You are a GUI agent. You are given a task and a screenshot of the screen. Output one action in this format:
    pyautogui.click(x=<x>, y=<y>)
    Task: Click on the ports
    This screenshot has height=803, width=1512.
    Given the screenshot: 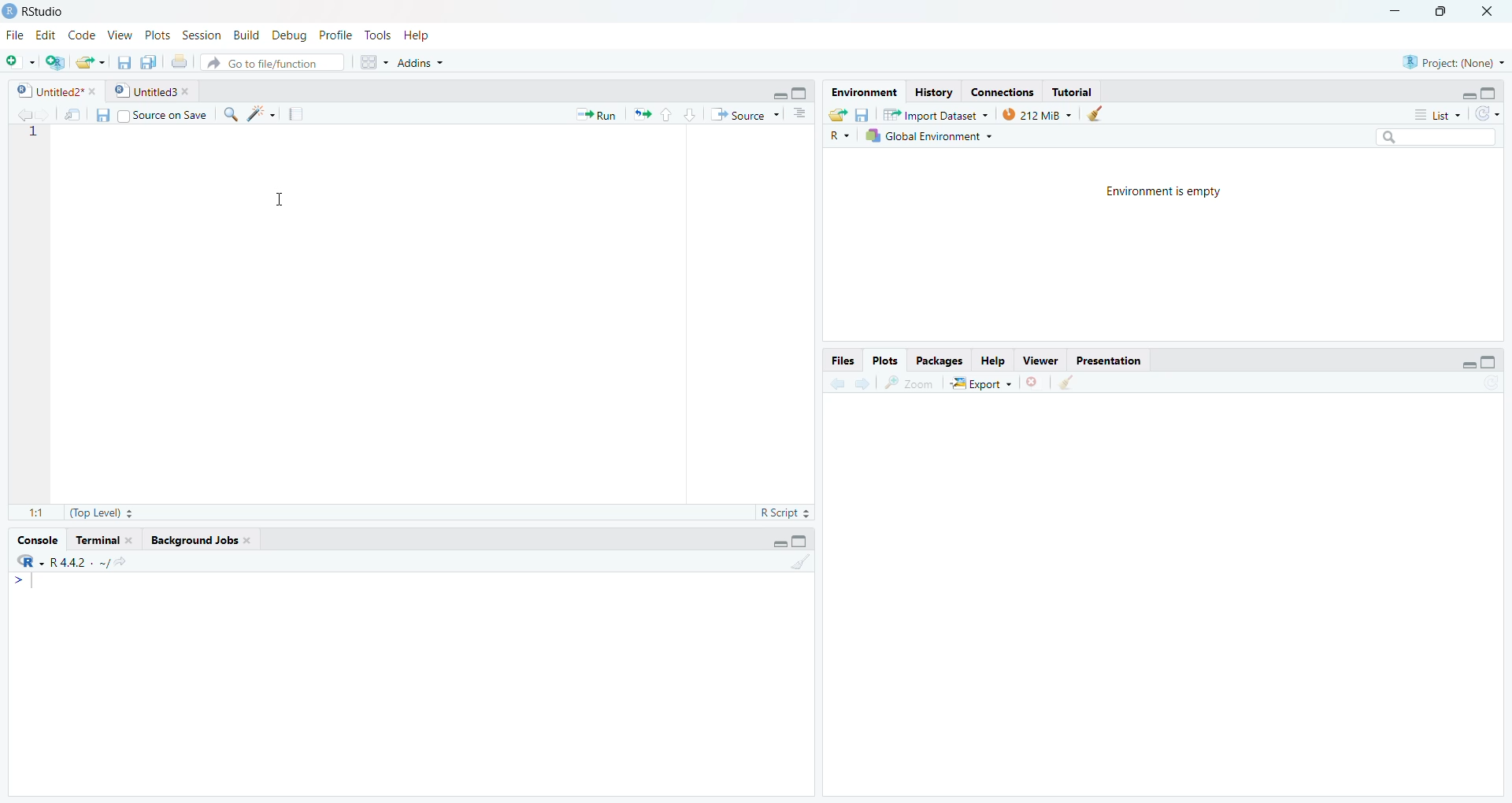 What is the action you would take?
    pyautogui.click(x=159, y=35)
    